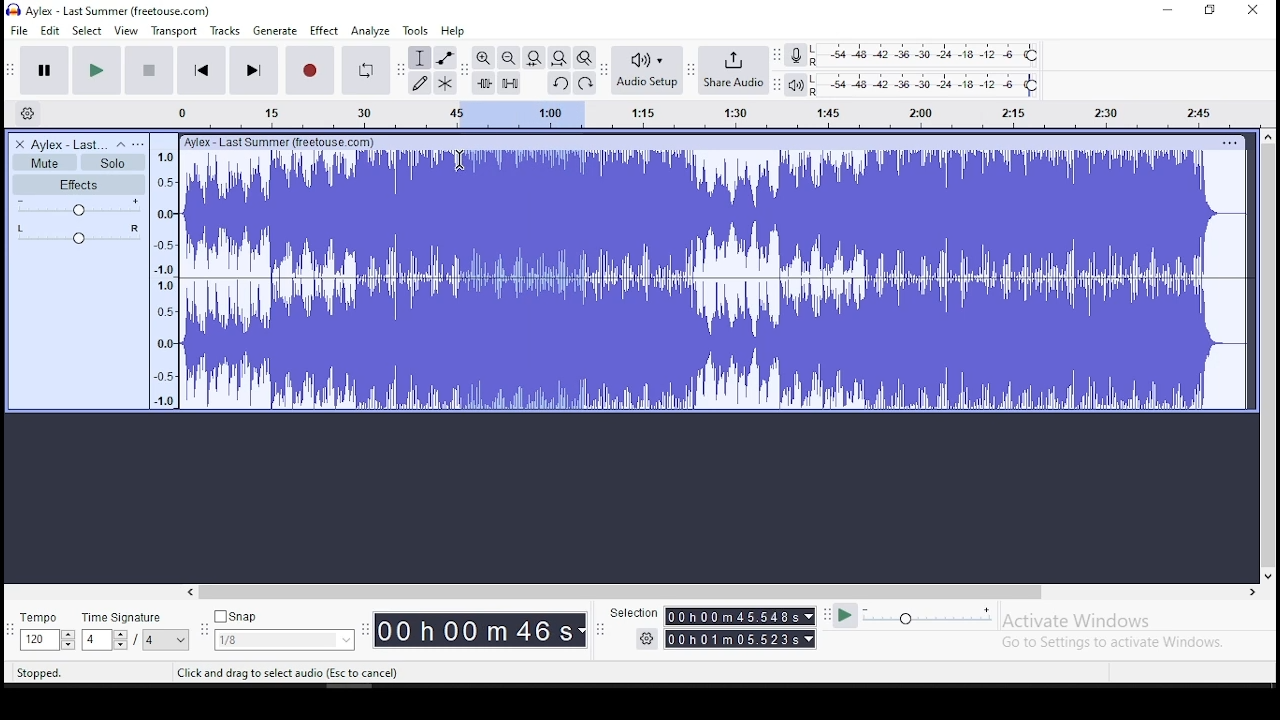 Image resolution: width=1280 pixels, height=720 pixels. Describe the element at coordinates (934, 85) in the screenshot. I see `playback level` at that location.